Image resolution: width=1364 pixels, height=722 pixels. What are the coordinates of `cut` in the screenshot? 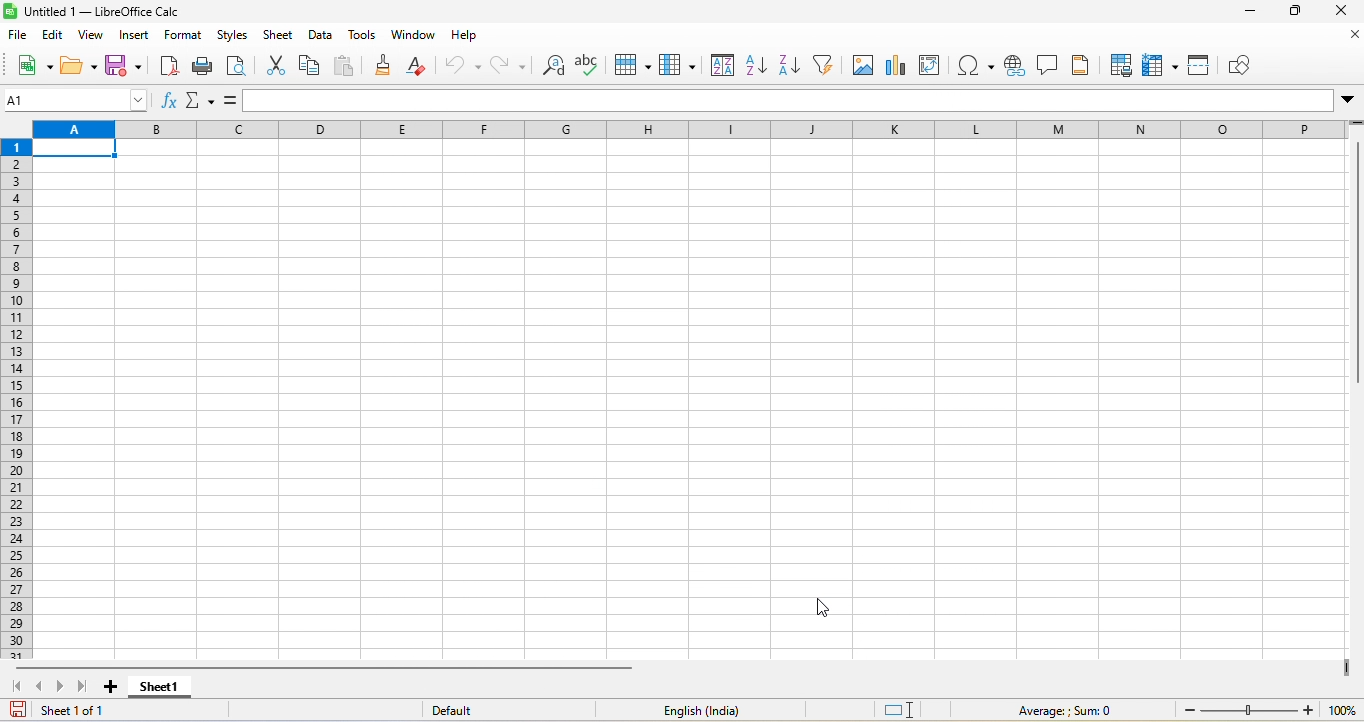 It's located at (275, 63).